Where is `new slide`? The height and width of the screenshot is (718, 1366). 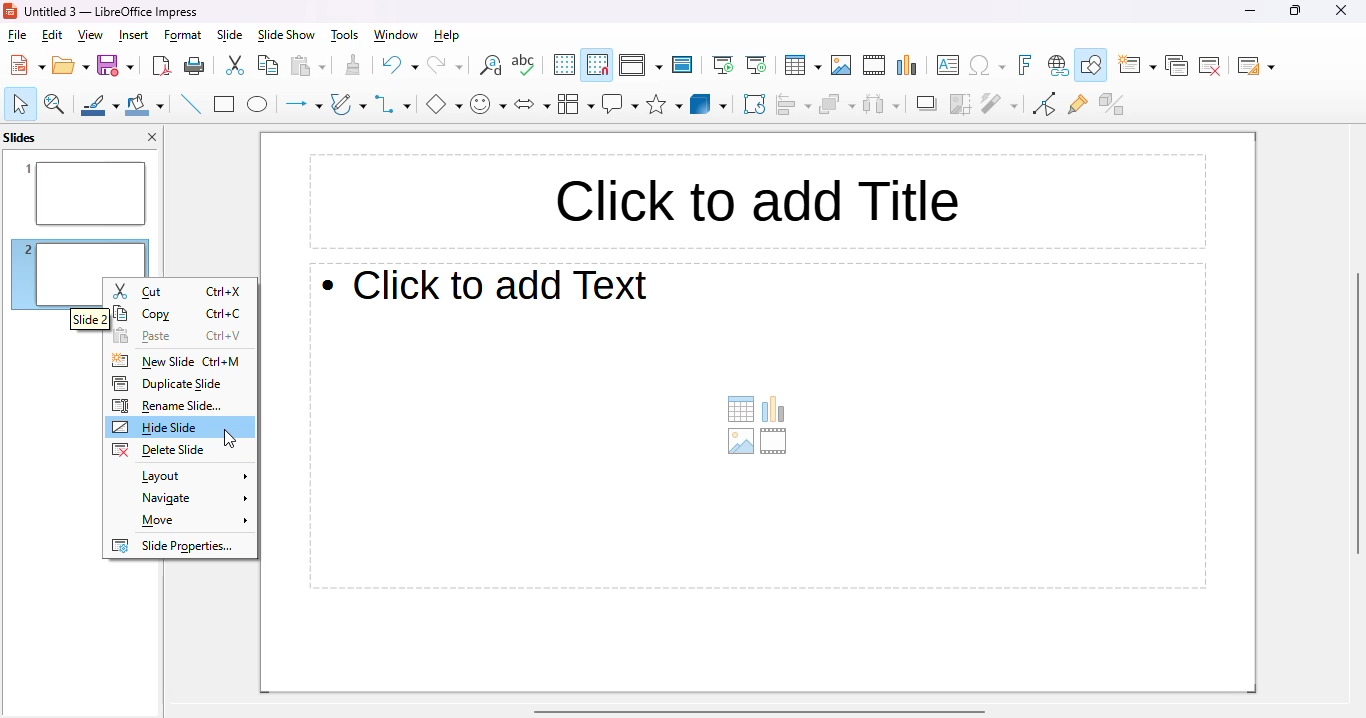 new slide is located at coordinates (1138, 66).